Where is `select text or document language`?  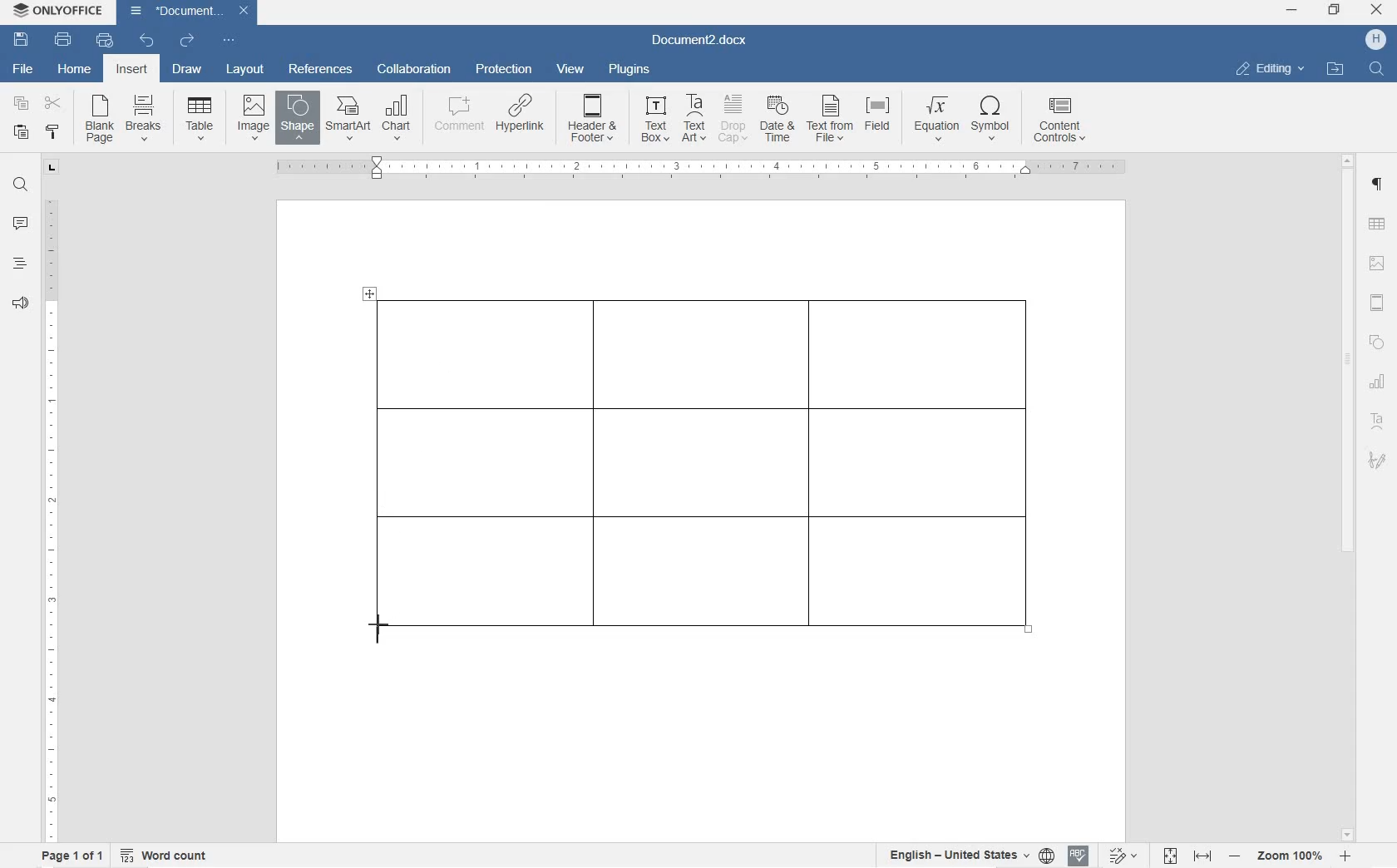
select text or document language is located at coordinates (969, 857).